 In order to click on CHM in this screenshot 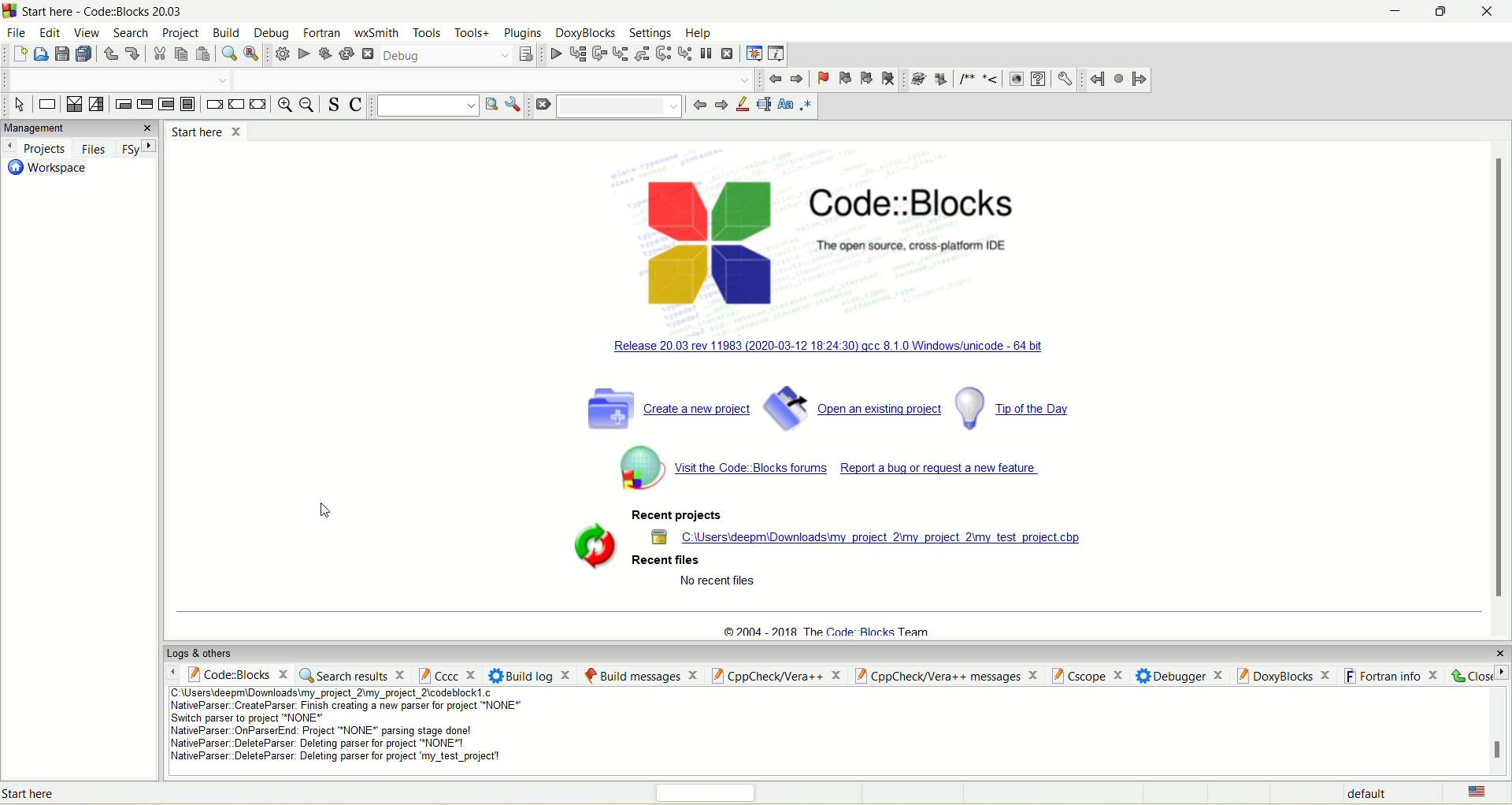, I will do `click(1037, 80)`.